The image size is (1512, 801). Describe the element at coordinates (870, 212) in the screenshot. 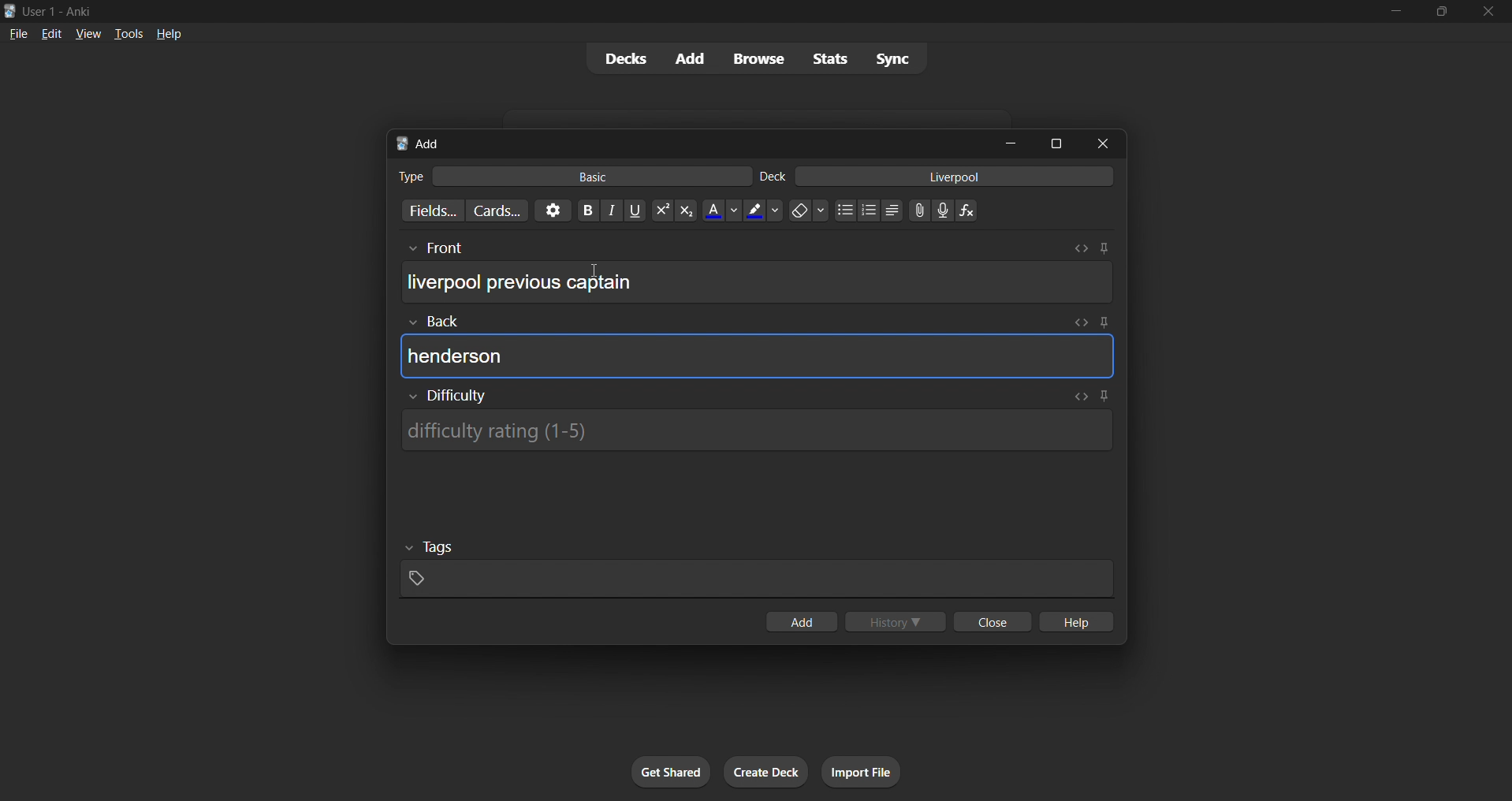

I see `numbered list` at that location.